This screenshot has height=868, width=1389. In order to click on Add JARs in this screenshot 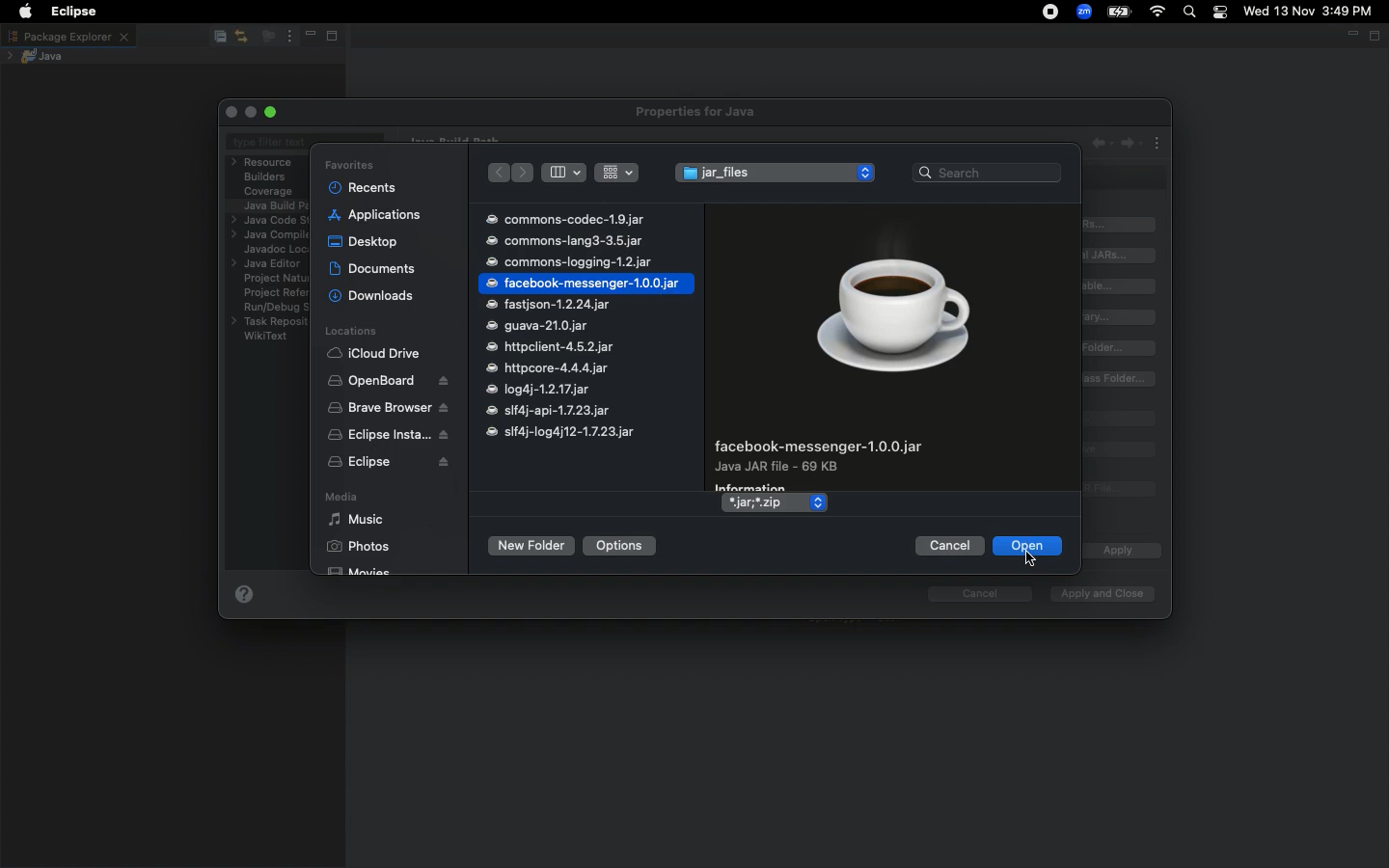, I will do `click(1121, 225)`.